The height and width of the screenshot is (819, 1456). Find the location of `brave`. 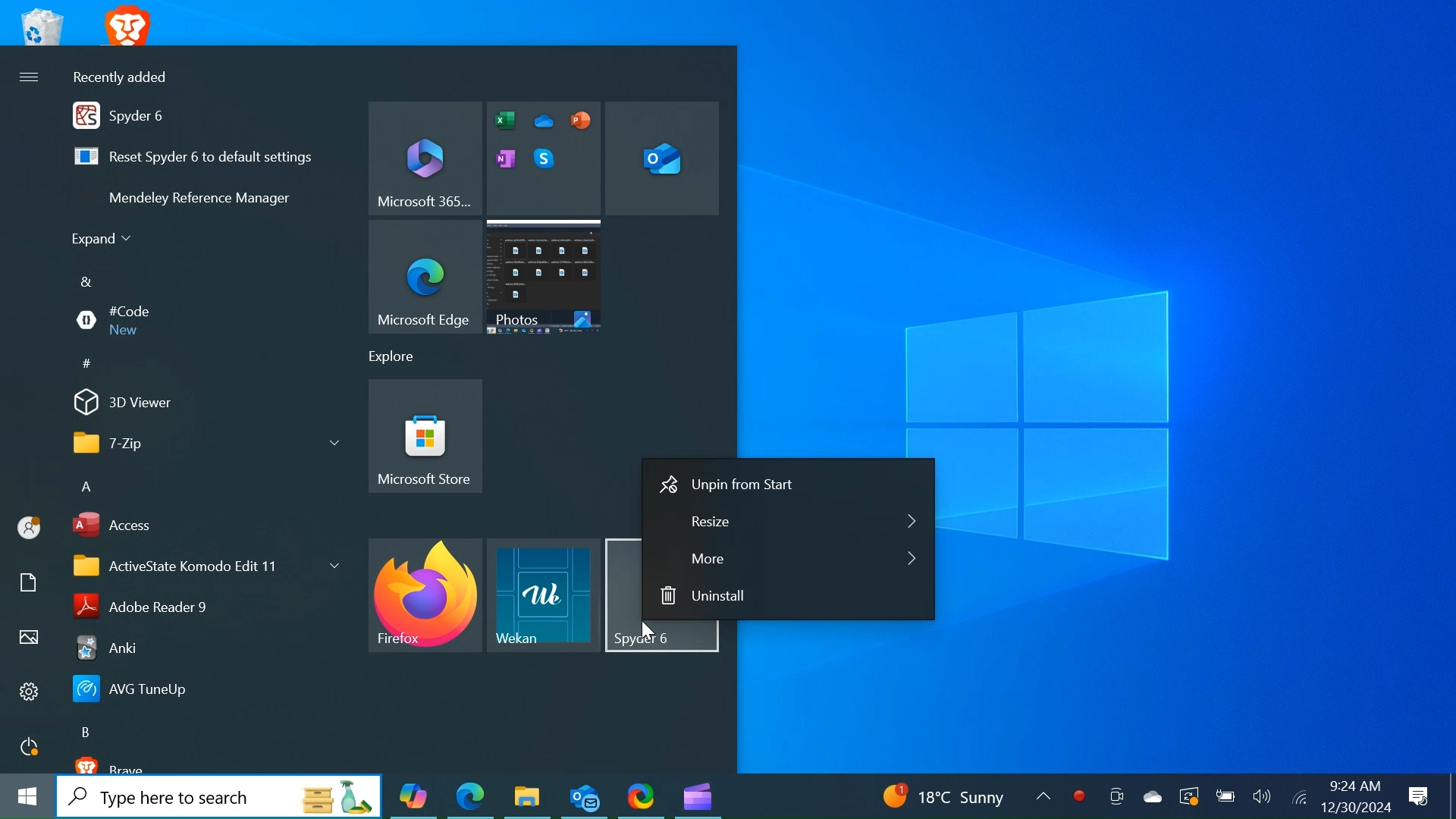

brave is located at coordinates (214, 764).